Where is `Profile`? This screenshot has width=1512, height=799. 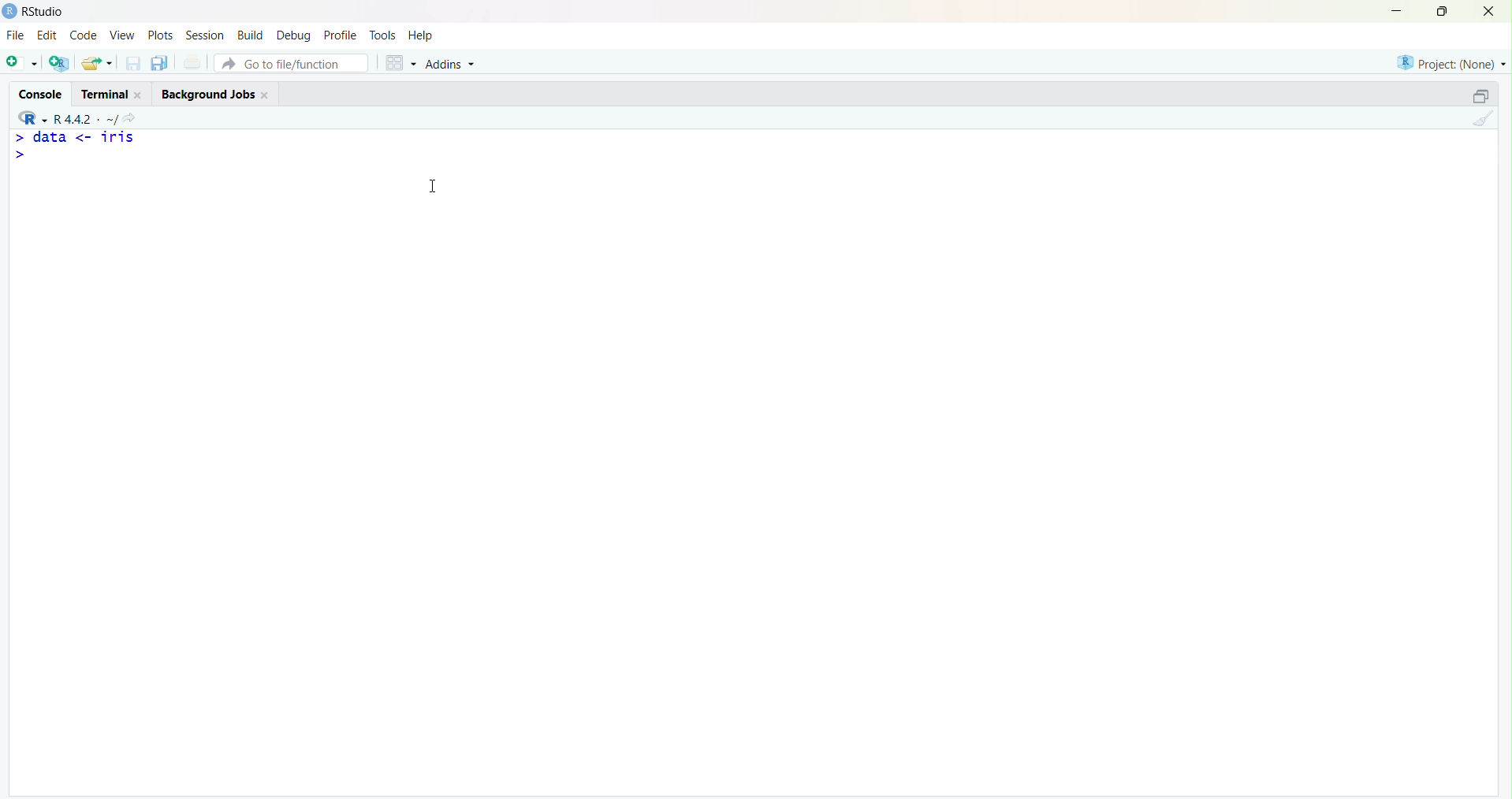 Profile is located at coordinates (340, 35).